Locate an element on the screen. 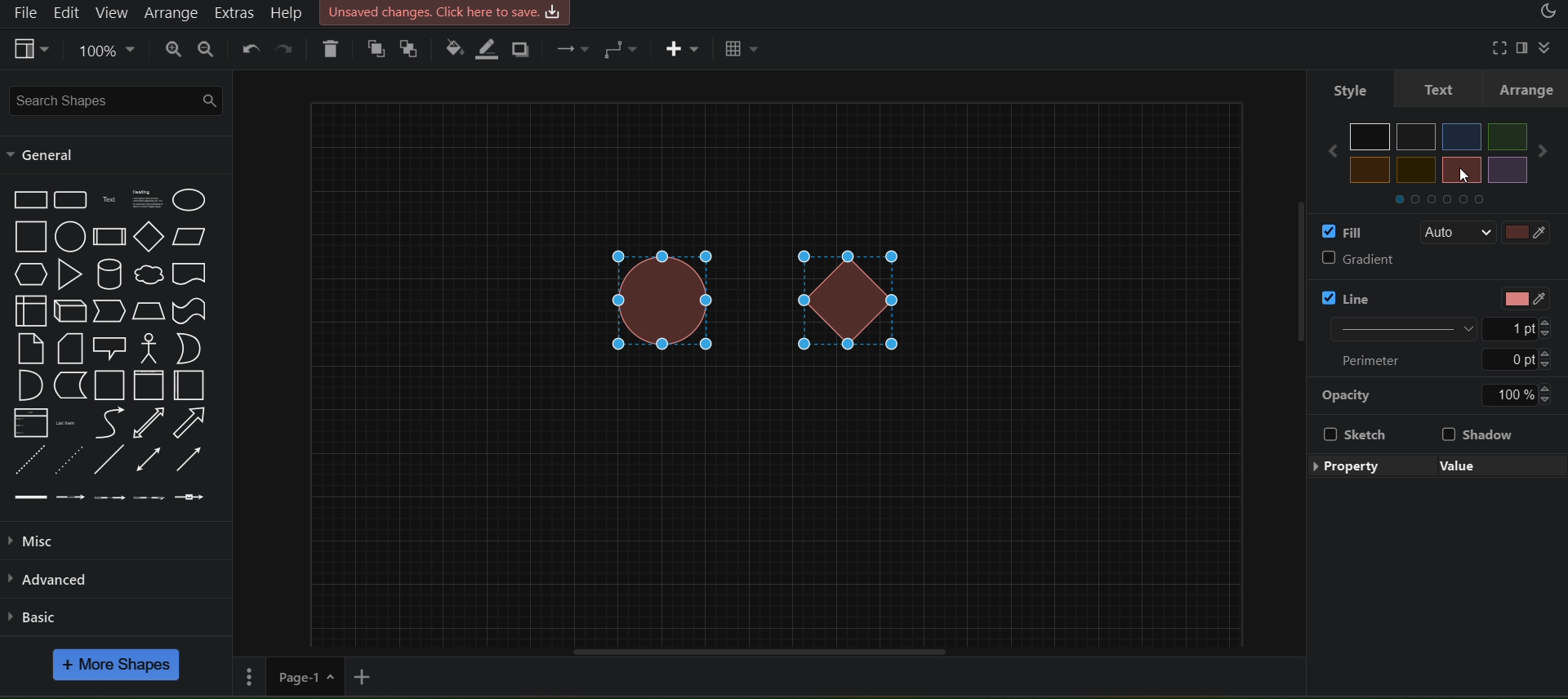  Directional Arrow is located at coordinates (189, 458).